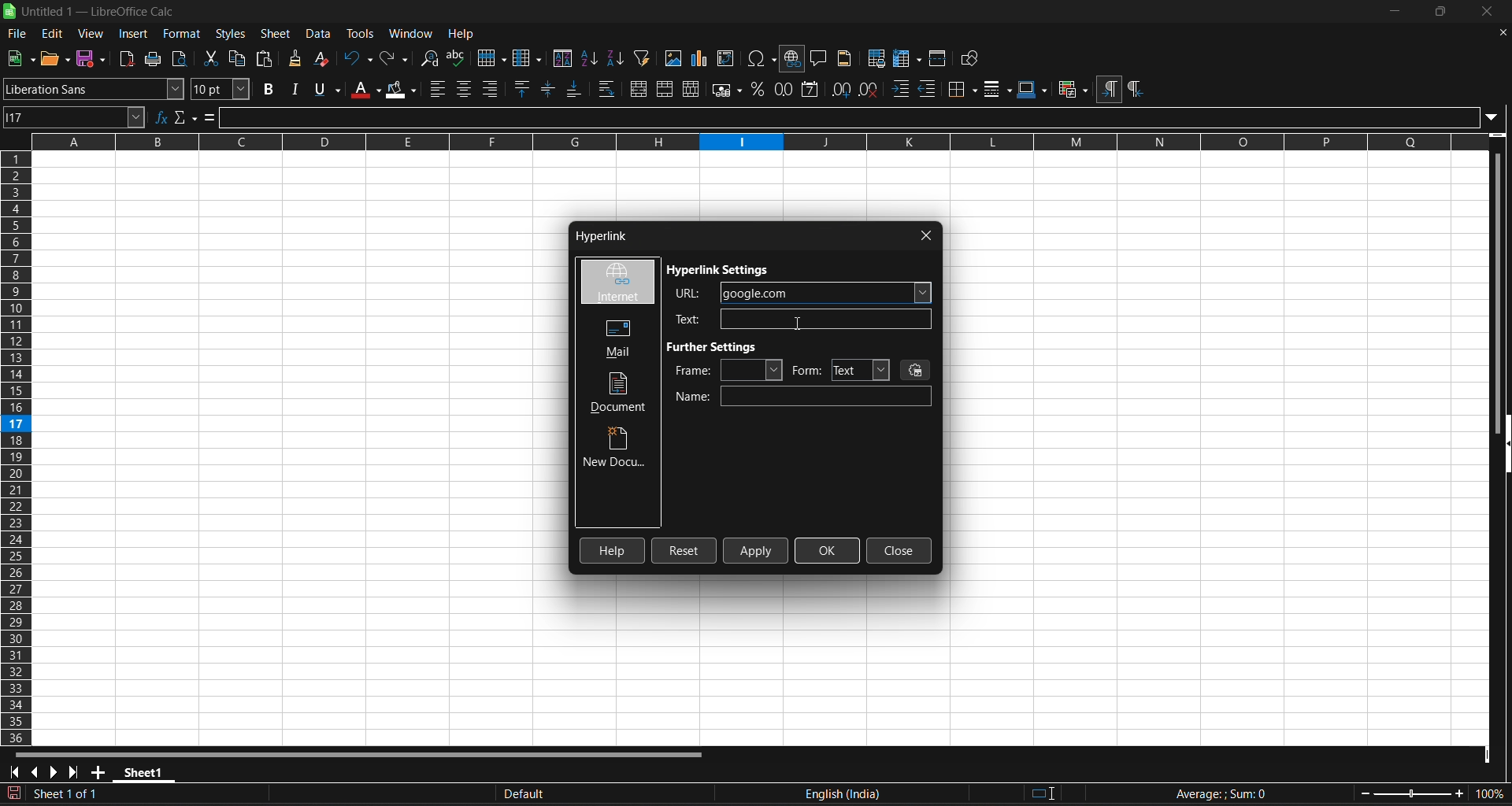 This screenshot has height=806, width=1512. I want to click on okay, so click(828, 550).